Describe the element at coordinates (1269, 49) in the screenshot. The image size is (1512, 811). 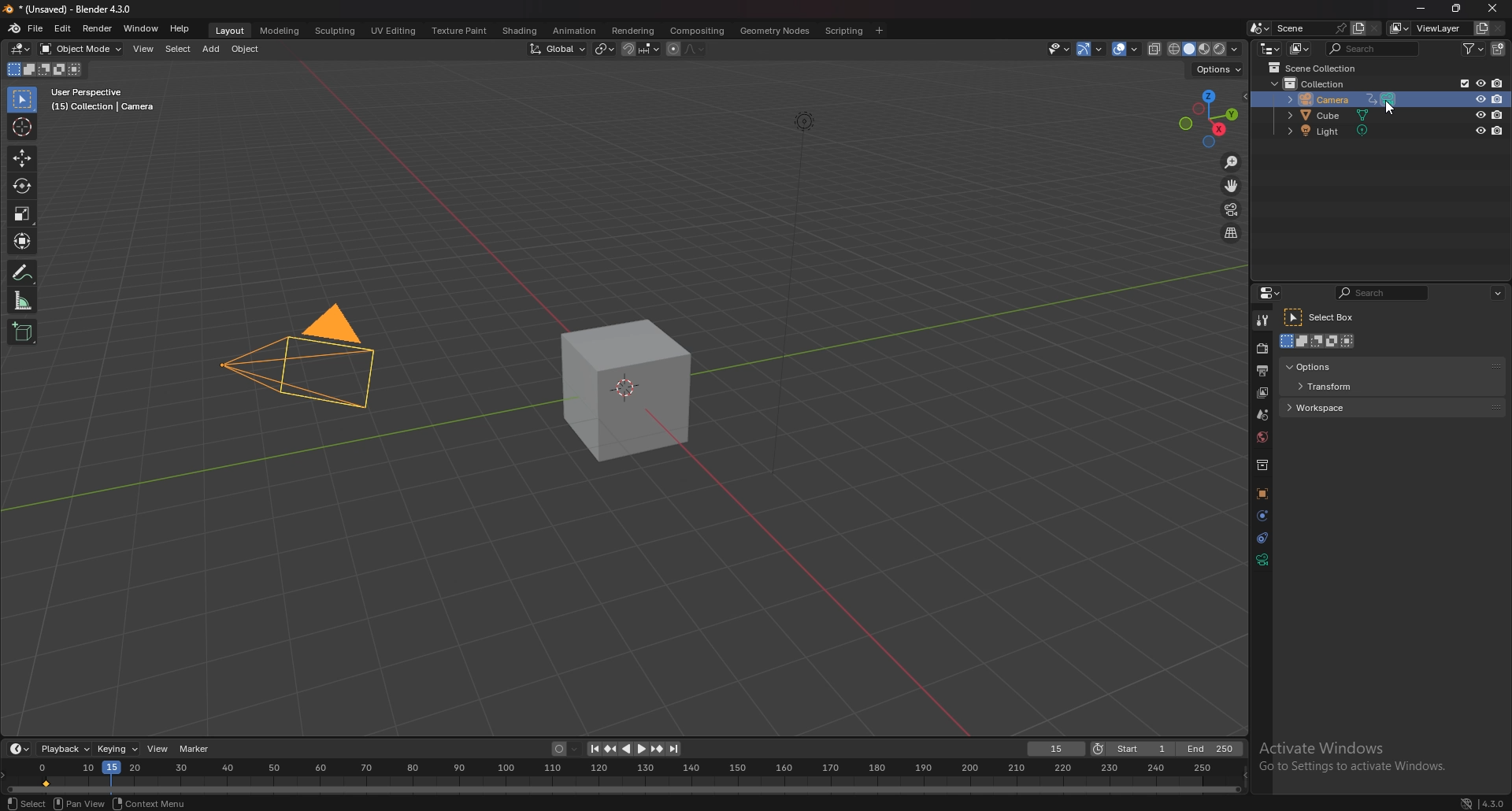
I see `editor type` at that location.